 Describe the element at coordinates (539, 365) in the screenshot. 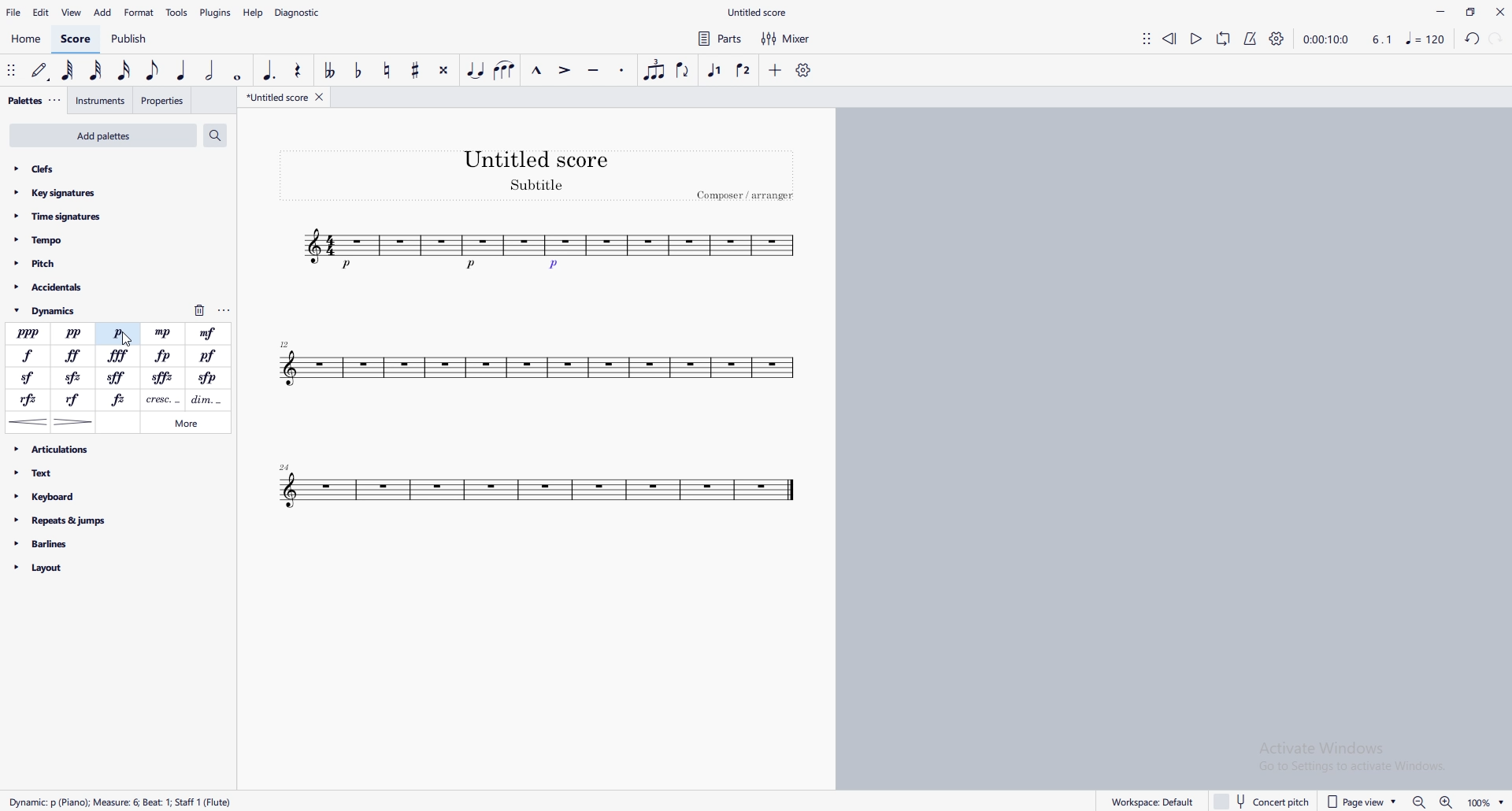

I see `tune` at that location.